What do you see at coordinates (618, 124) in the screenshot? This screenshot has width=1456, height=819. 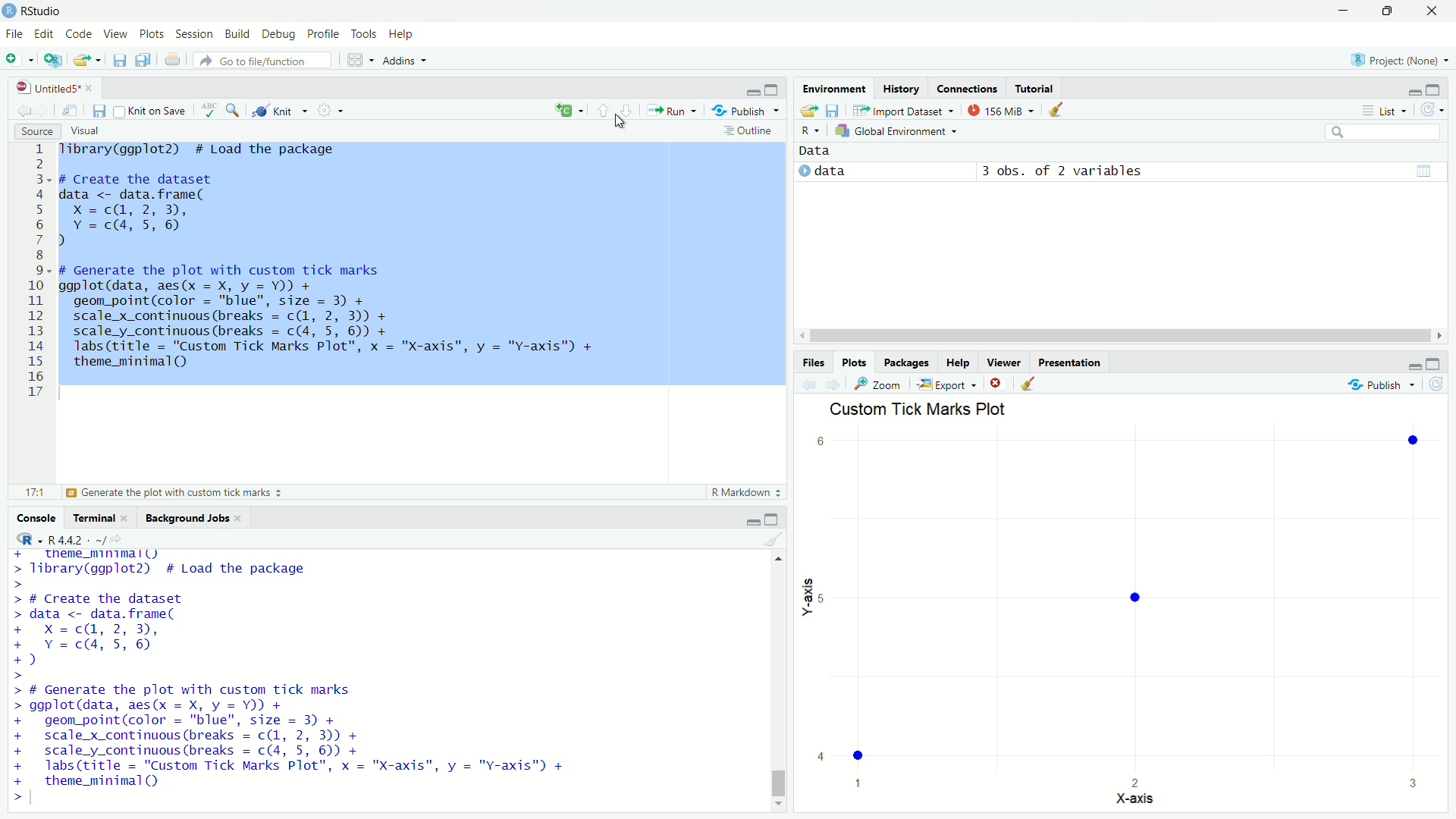 I see `cursor` at bounding box center [618, 124].